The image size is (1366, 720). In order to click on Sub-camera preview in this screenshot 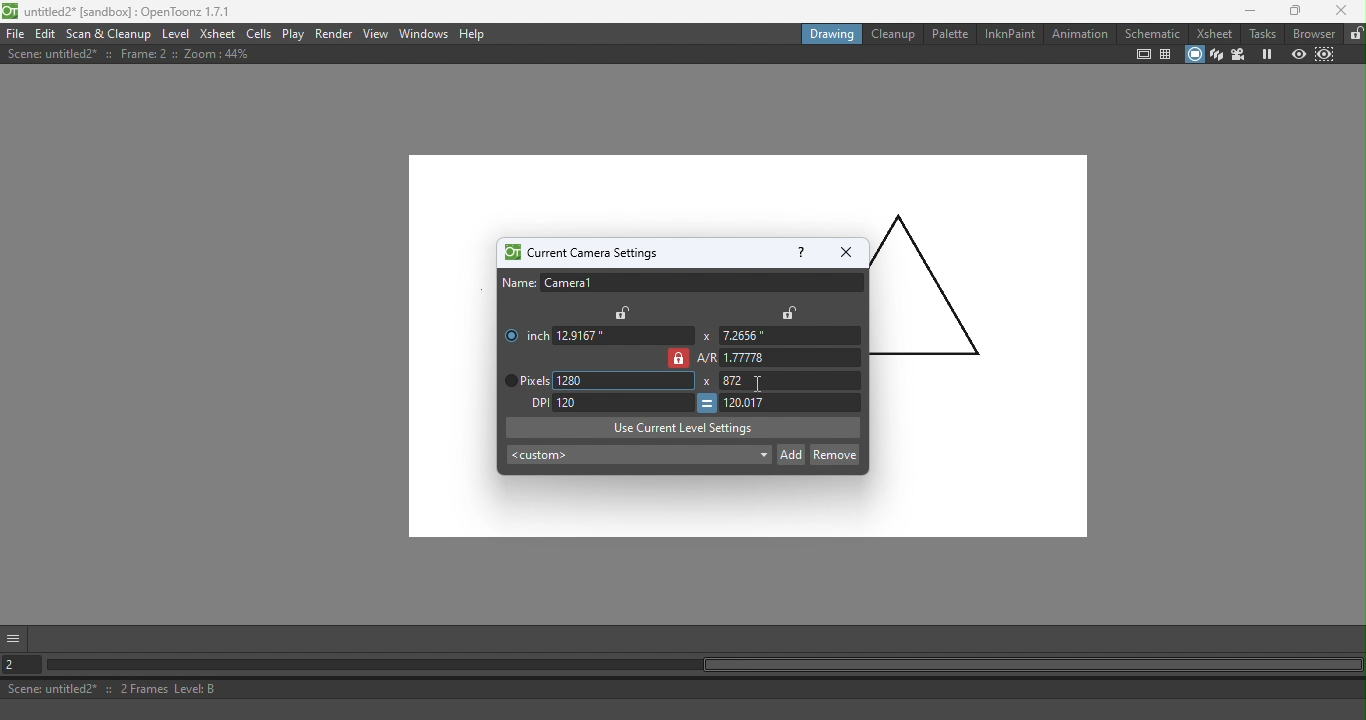, I will do `click(1323, 55)`.